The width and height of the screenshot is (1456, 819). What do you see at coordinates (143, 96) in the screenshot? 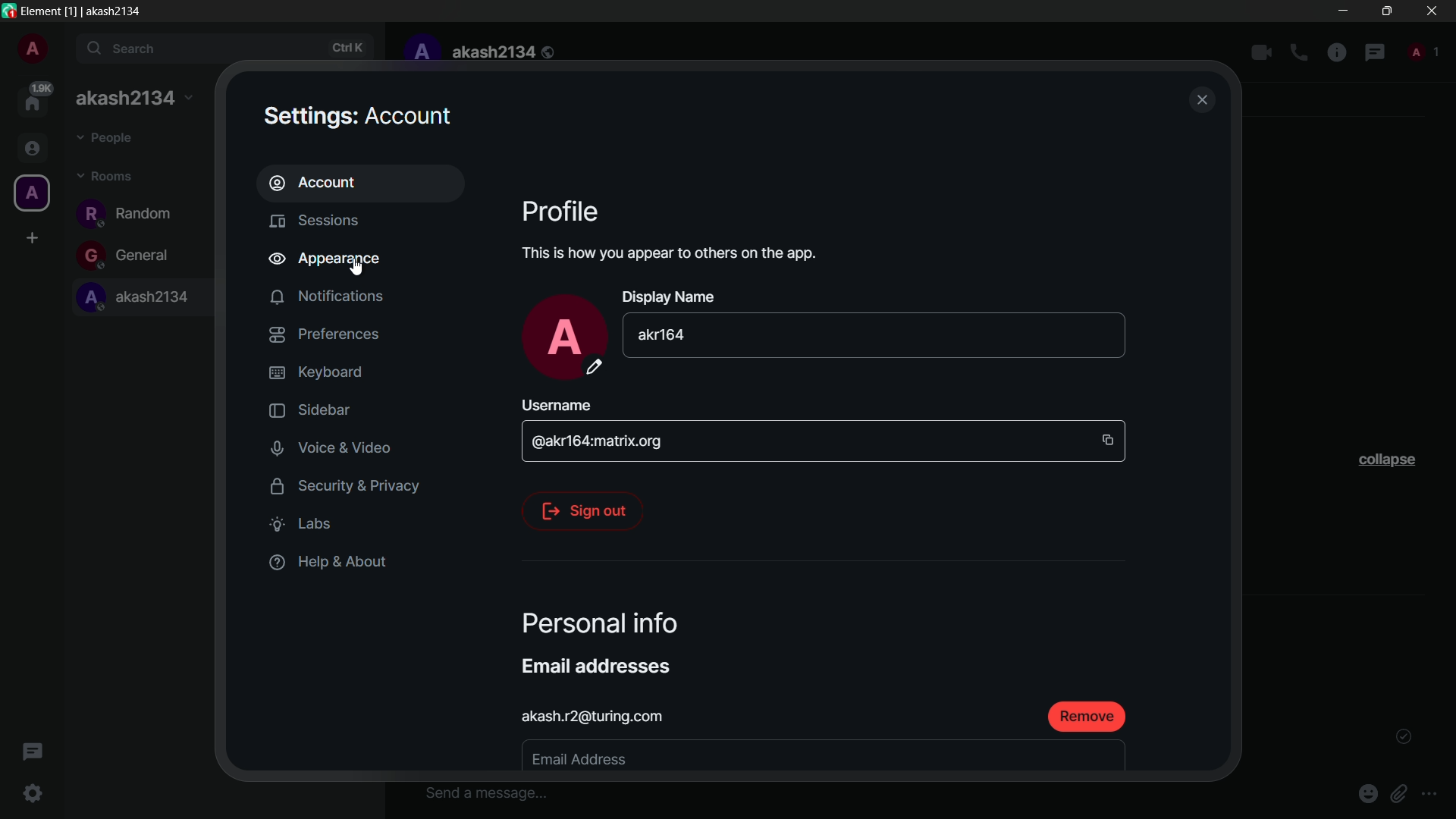
I see `expand` at bounding box center [143, 96].